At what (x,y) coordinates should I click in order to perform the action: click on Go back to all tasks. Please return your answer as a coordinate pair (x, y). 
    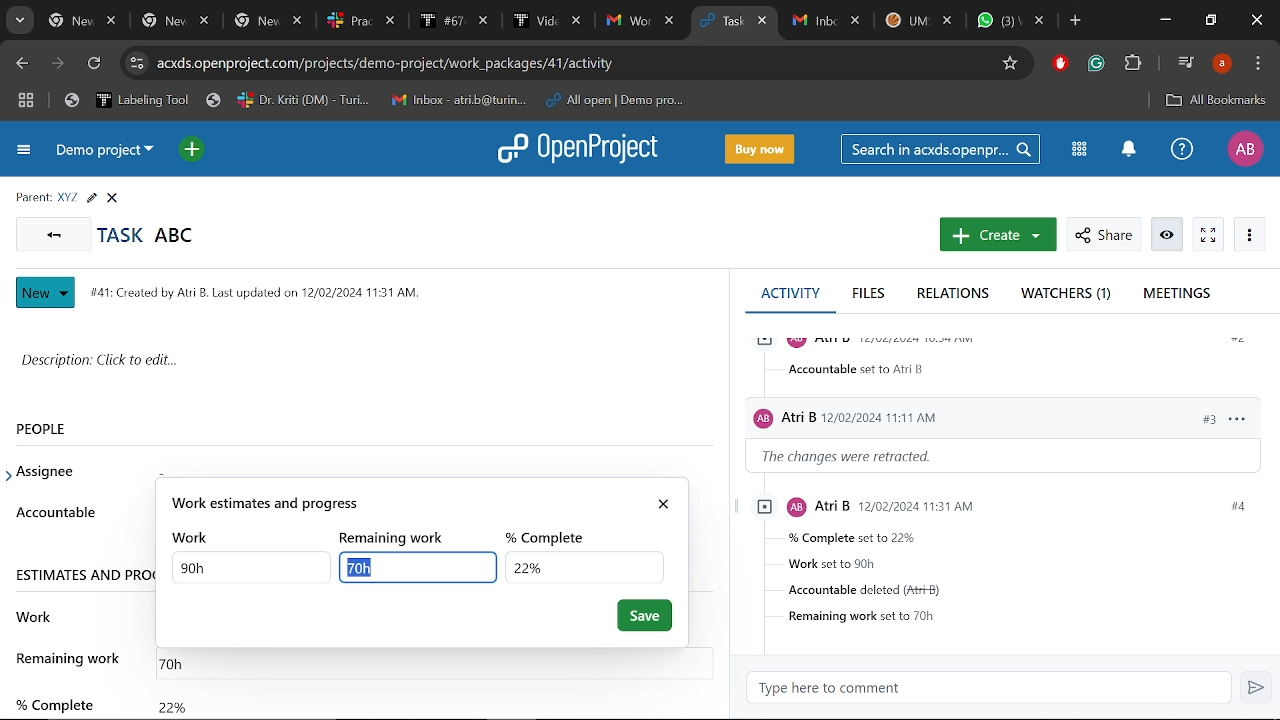
    Looking at the image, I should click on (54, 235).